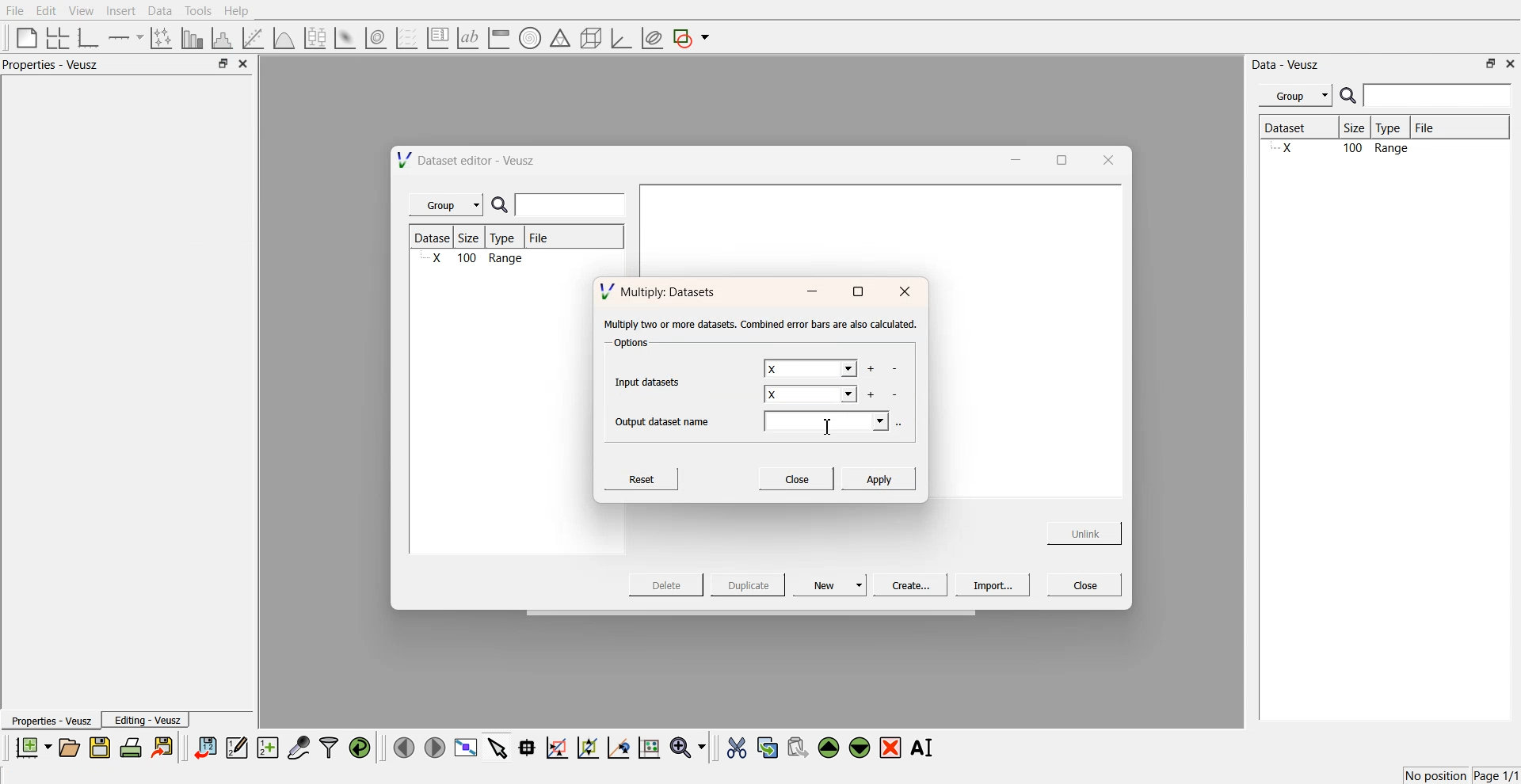 The width and height of the screenshot is (1521, 784). What do you see at coordinates (51, 721) in the screenshot?
I see `Properties - Veusz` at bounding box center [51, 721].